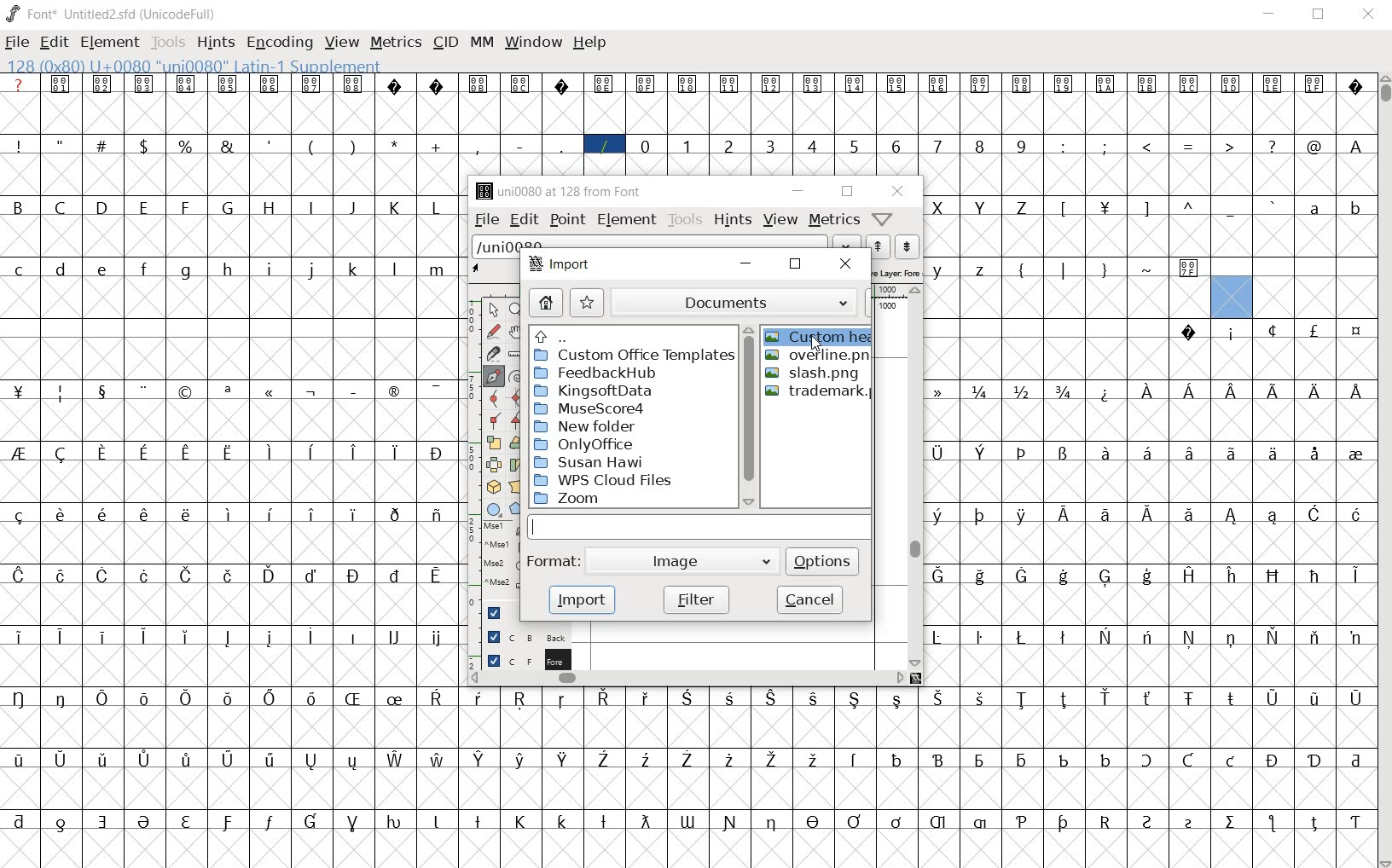 The width and height of the screenshot is (1392, 868). What do you see at coordinates (18, 576) in the screenshot?
I see `glyph` at bounding box center [18, 576].